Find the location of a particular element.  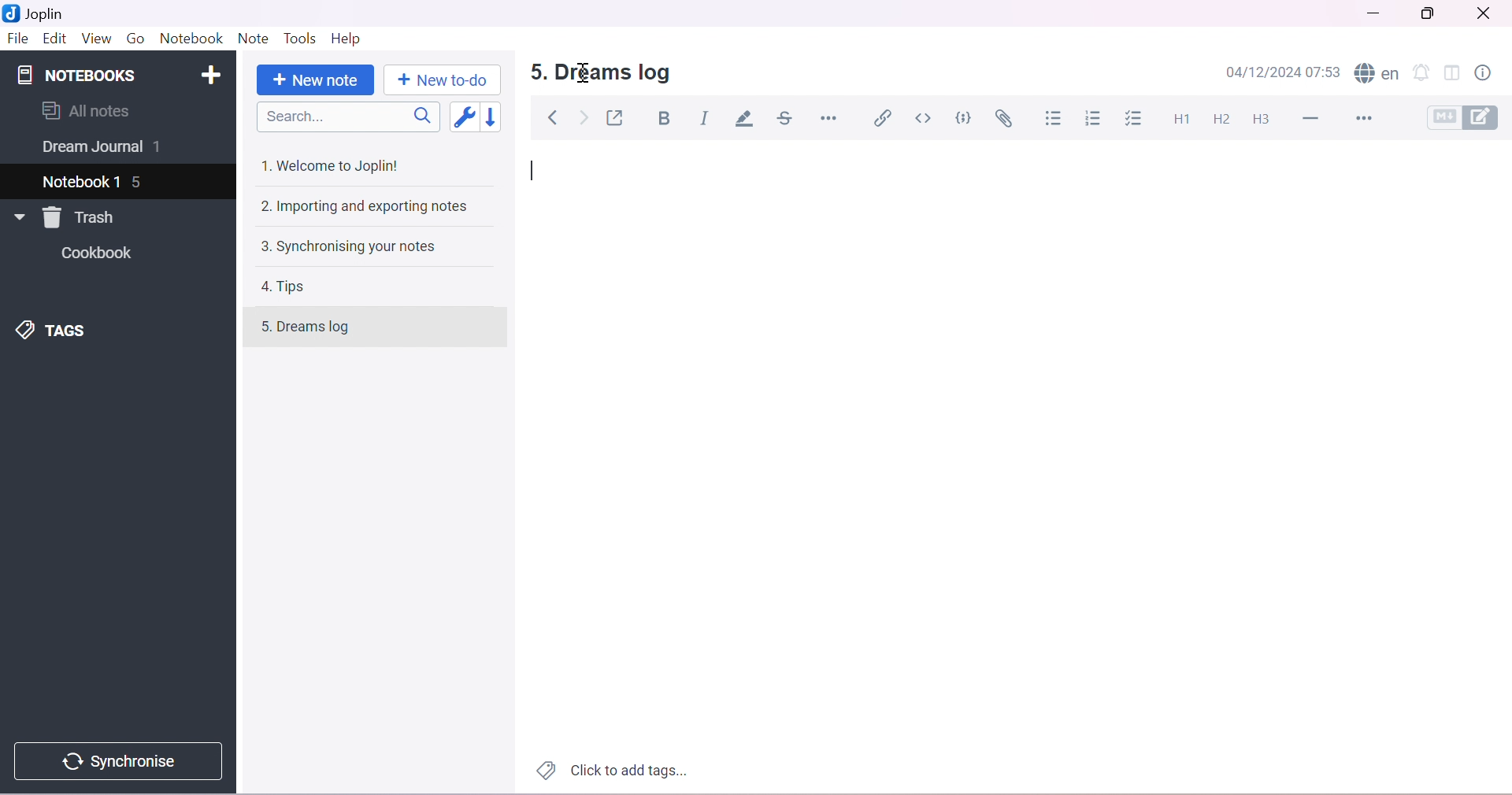

Dreams log is located at coordinates (322, 328).